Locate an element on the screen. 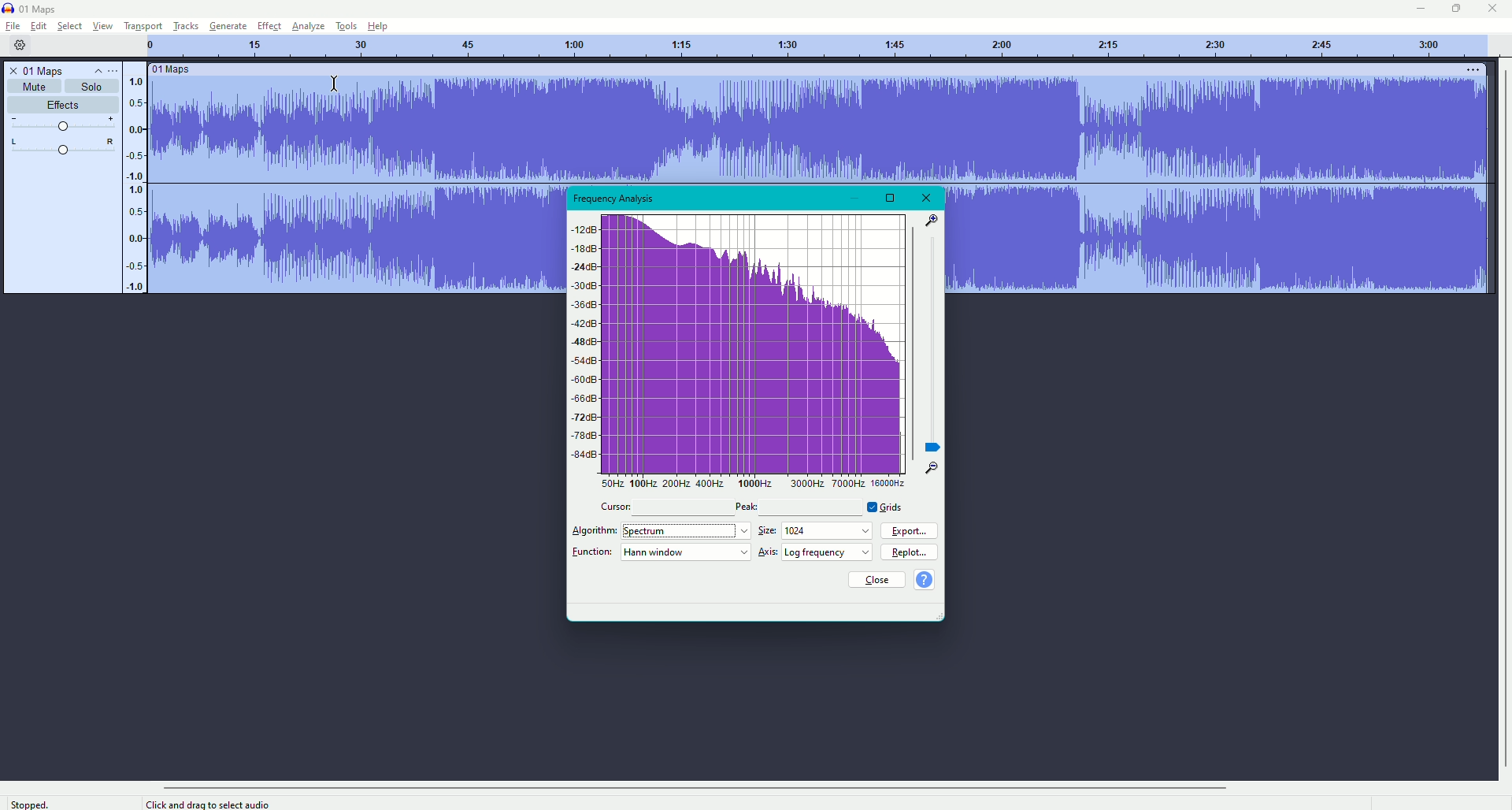 Image resolution: width=1512 pixels, height=810 pixels. Restore is located at coordinates (891, 197).